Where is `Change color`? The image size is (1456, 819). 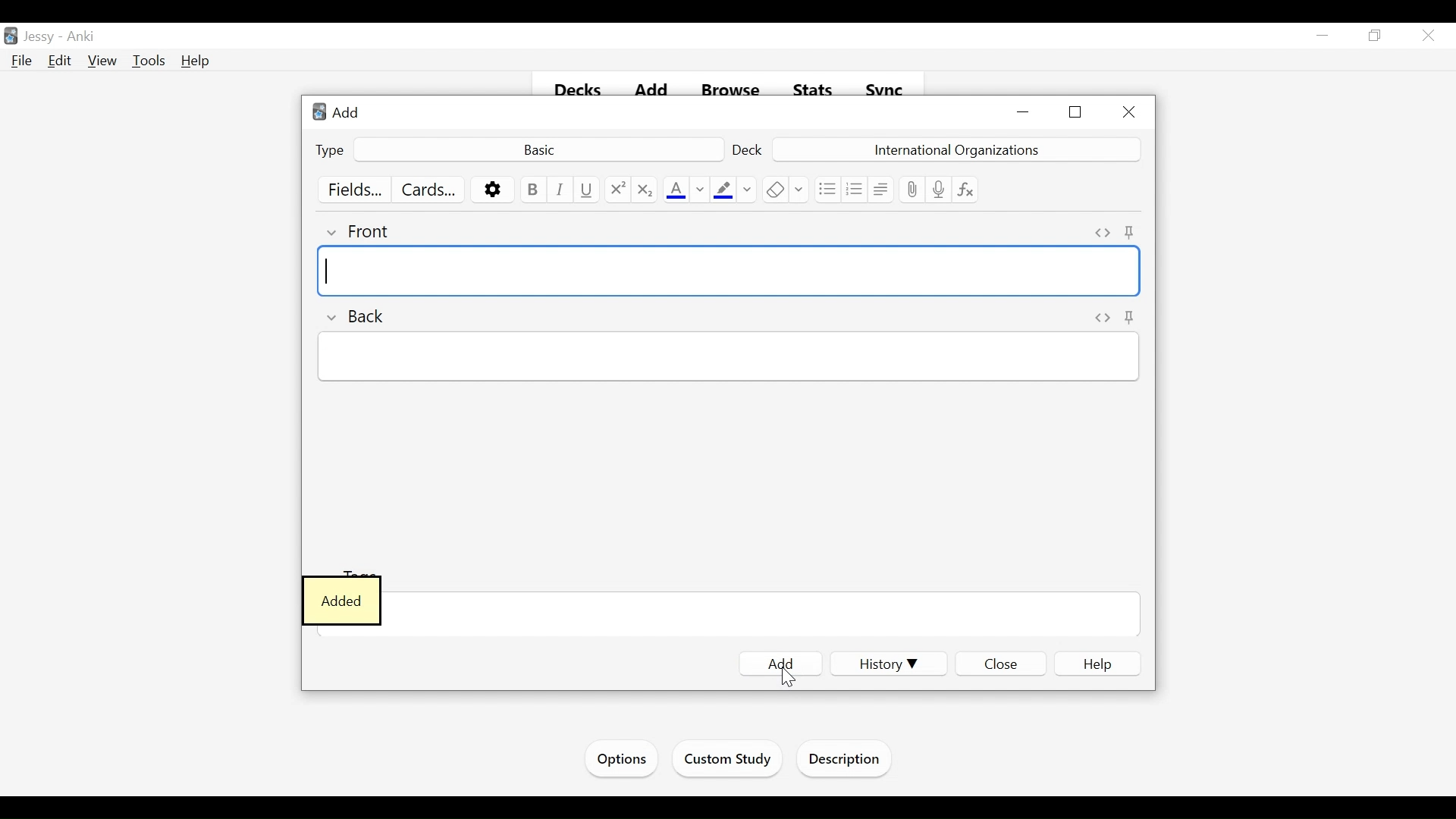 Change color is located at coordinates (699, 190).